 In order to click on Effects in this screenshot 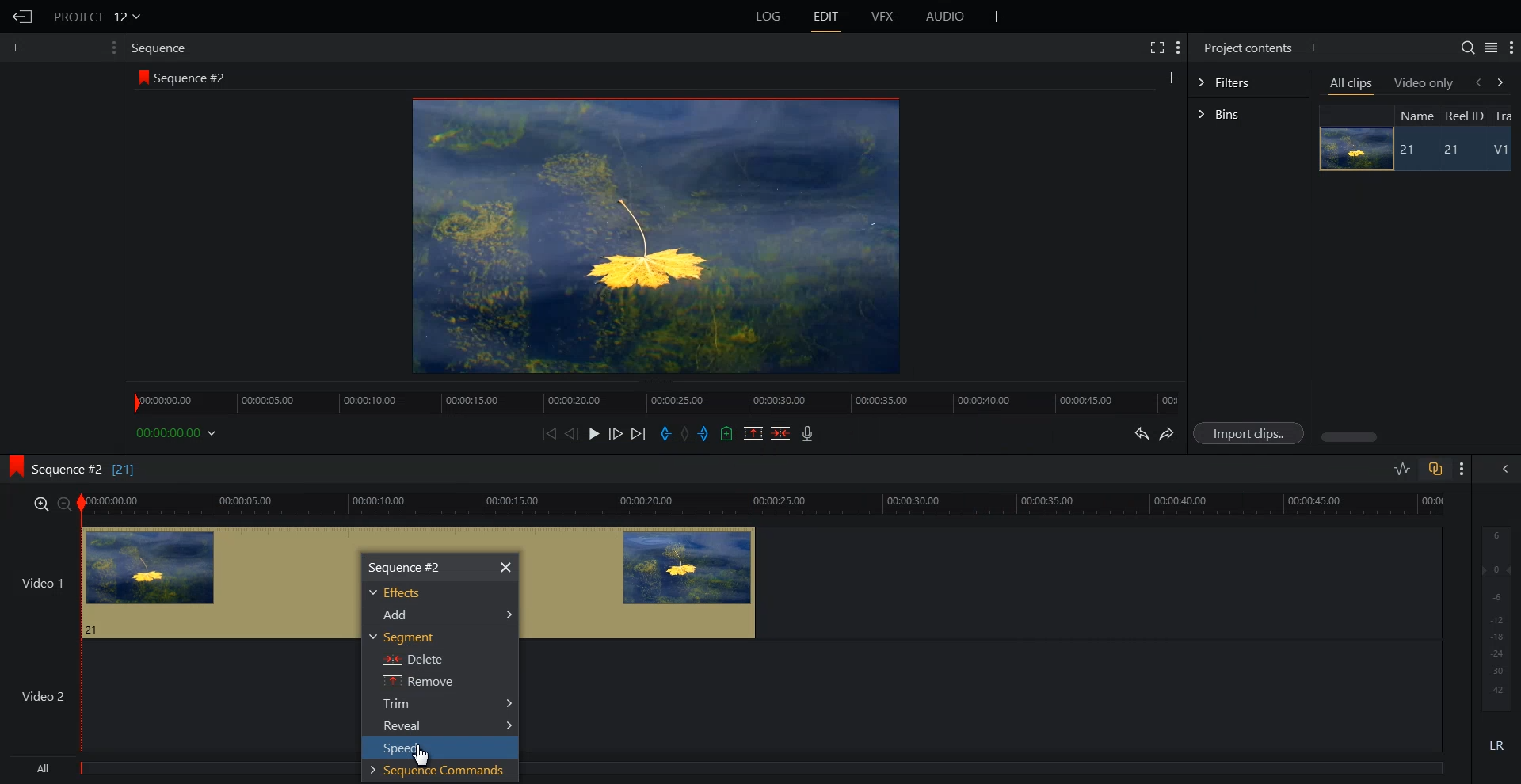, I will do `click(402, 593)`.